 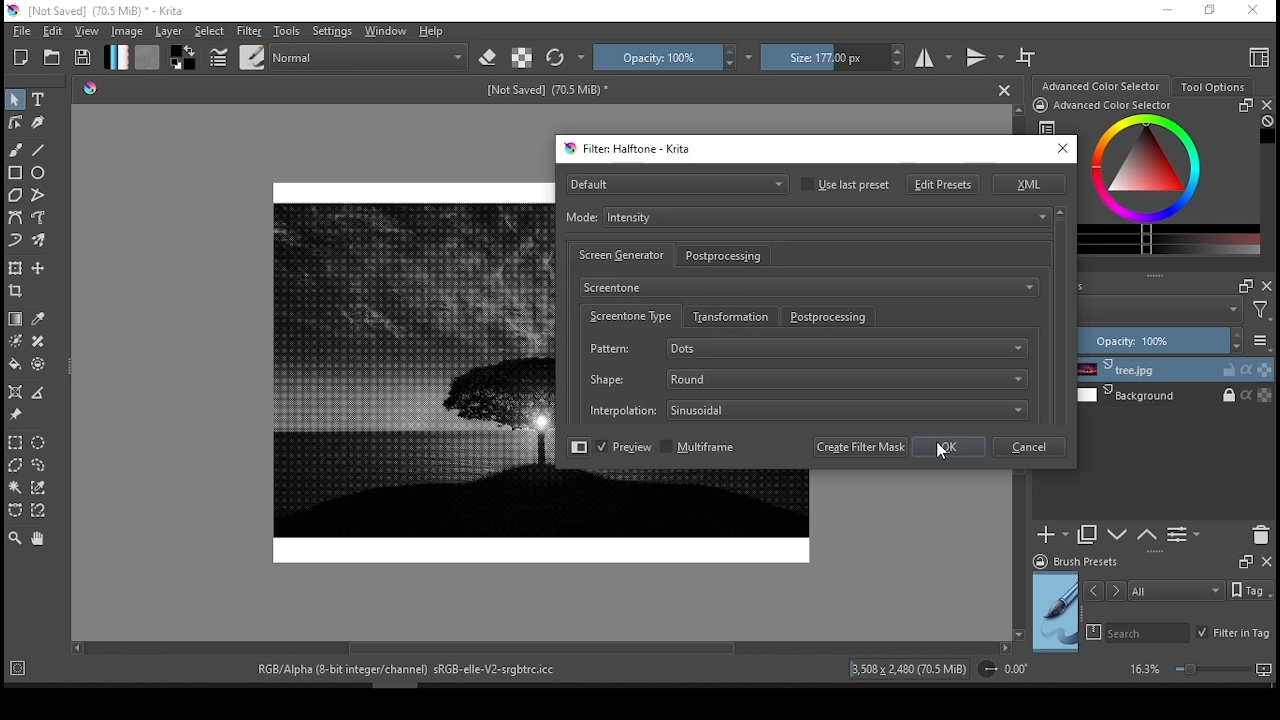 I want to click on colors, so click(x=185, y=57).